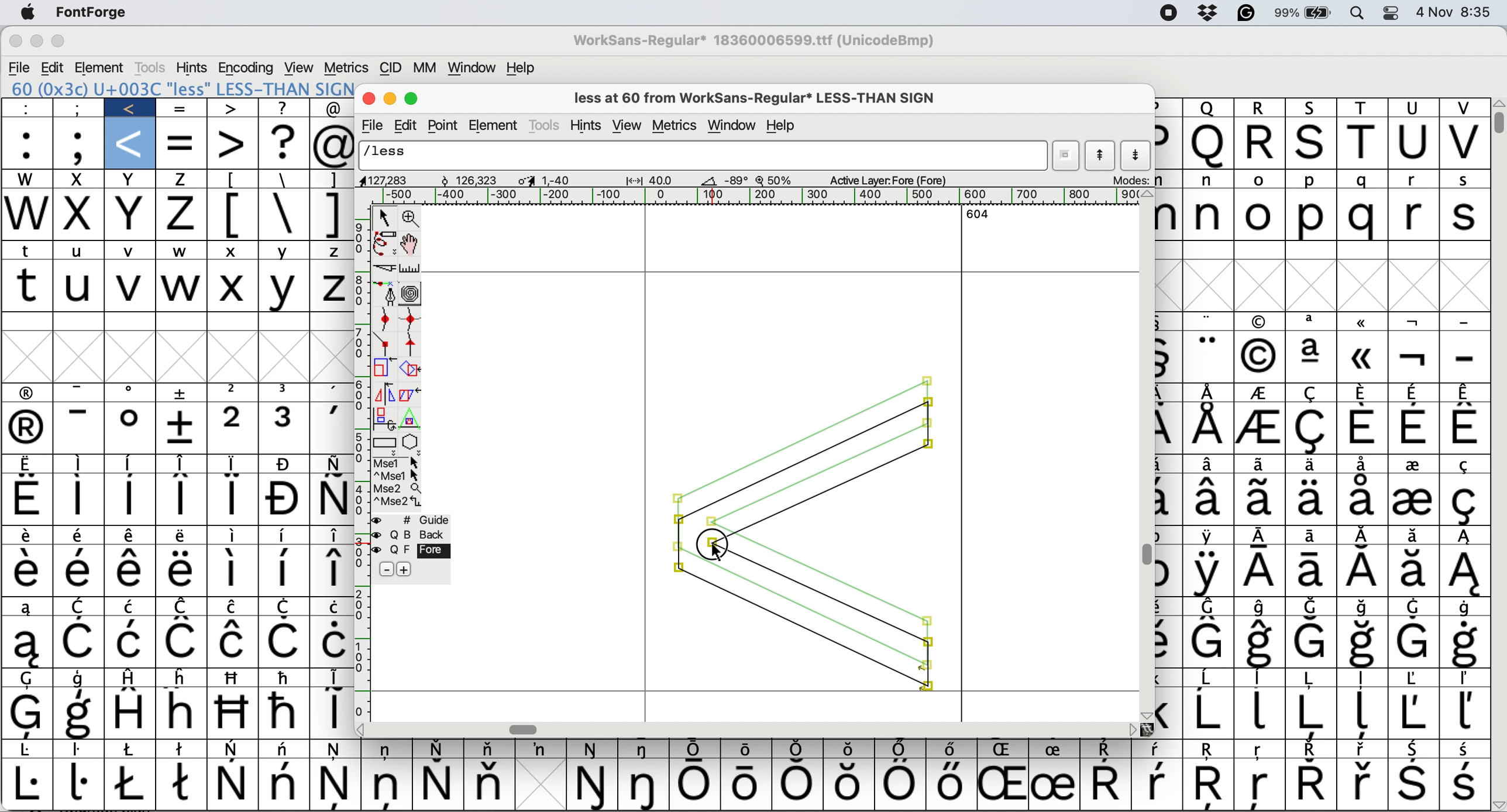  Describe the element at coordinates (233, 498) in the screenshot. I see `Symbol` at that location.